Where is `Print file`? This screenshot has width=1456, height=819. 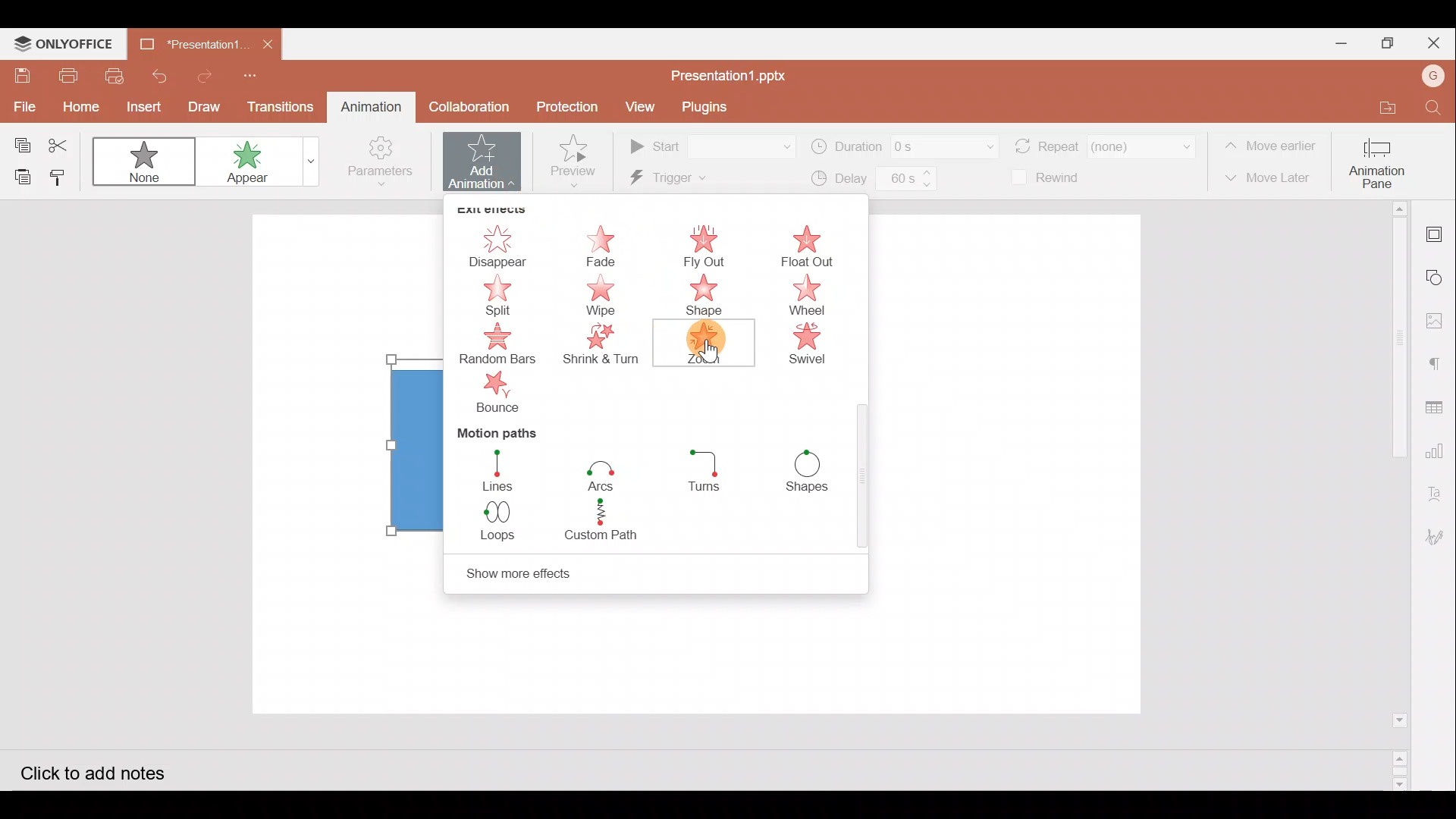 Print file is located at coordinates (70, 75).